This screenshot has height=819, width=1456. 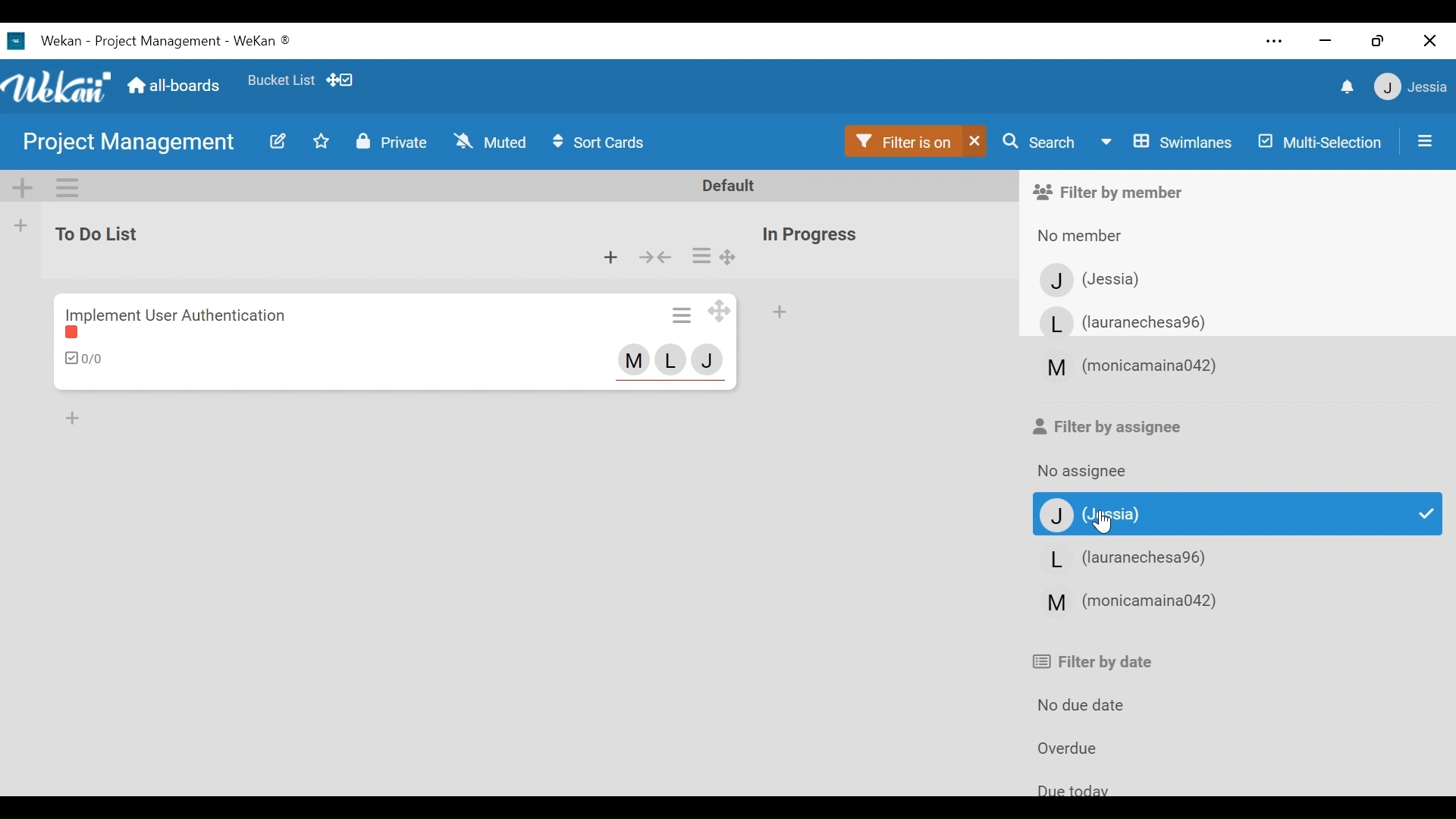 I want to click on Checklist, so click(x=85, y=359).